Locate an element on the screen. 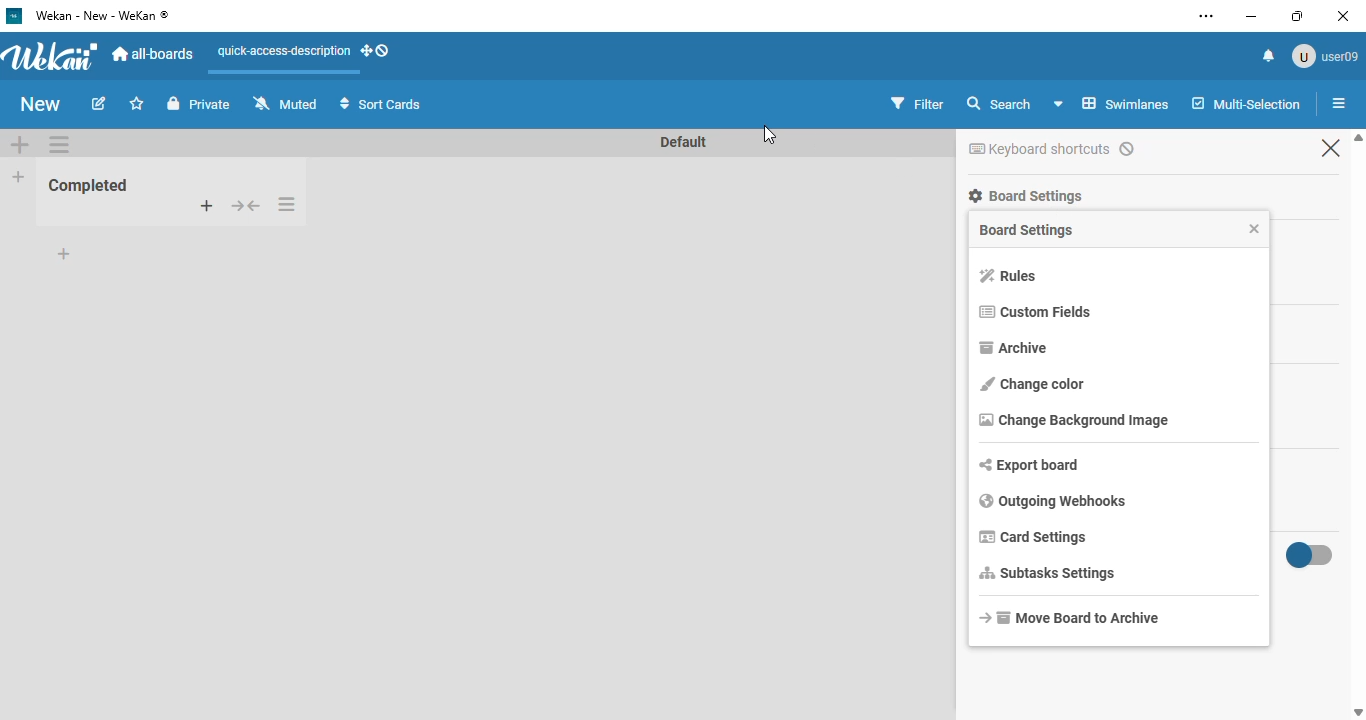 This screenshot has height=720, width=1366. change background image is located at coordinates (1074, 420).